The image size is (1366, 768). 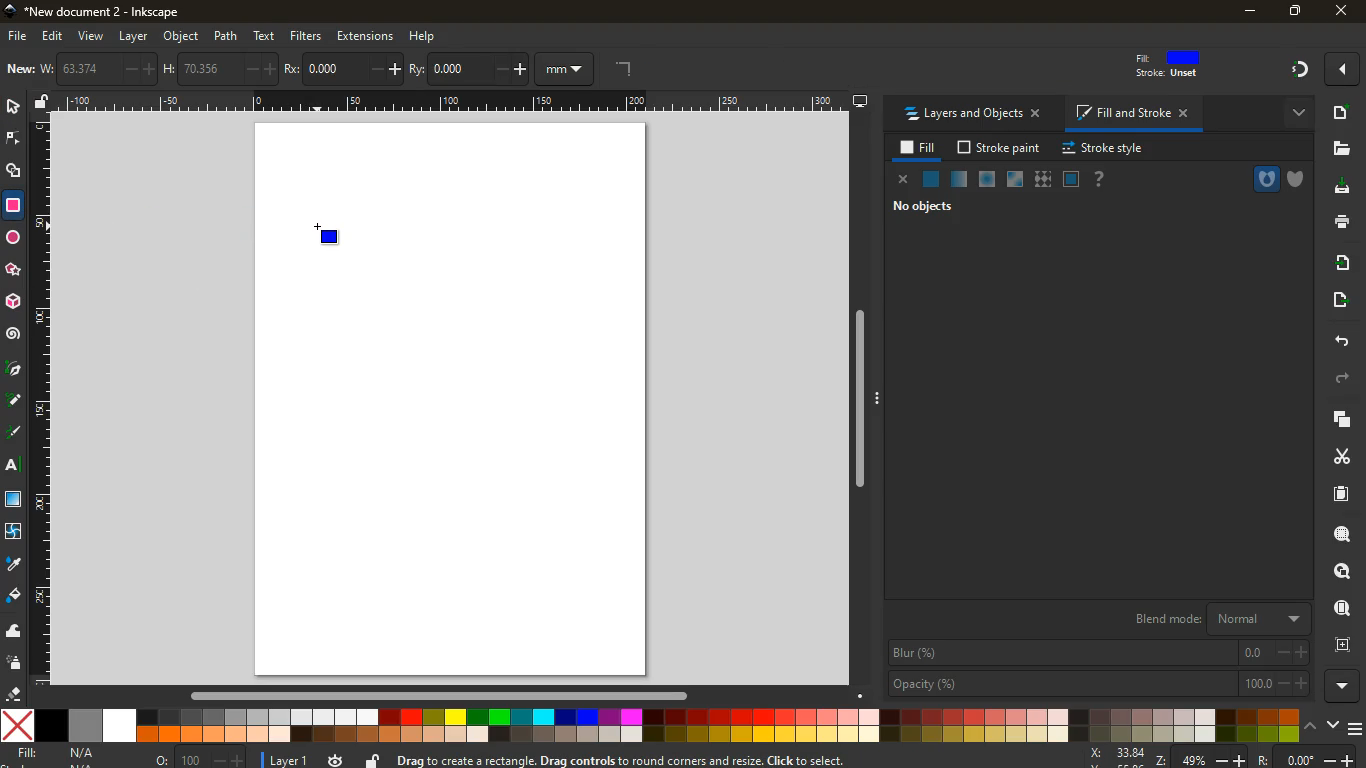 I want to click on help, so click(x=1099, y=179).